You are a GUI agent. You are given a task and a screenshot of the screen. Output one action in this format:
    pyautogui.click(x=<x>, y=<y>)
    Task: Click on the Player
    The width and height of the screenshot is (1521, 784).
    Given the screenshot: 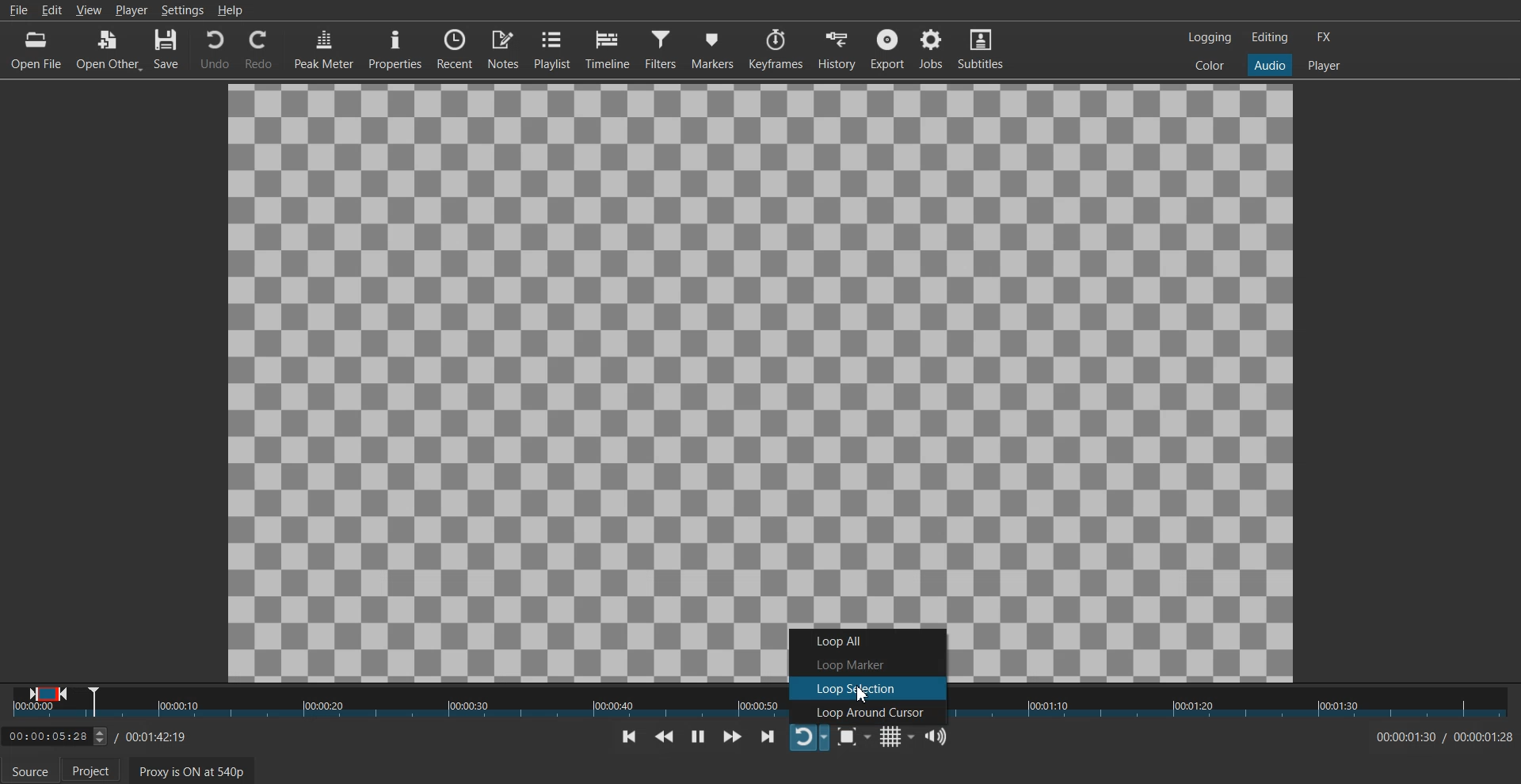 What is the action you would take?
    pyautogui.click(x=131, y=10)
    